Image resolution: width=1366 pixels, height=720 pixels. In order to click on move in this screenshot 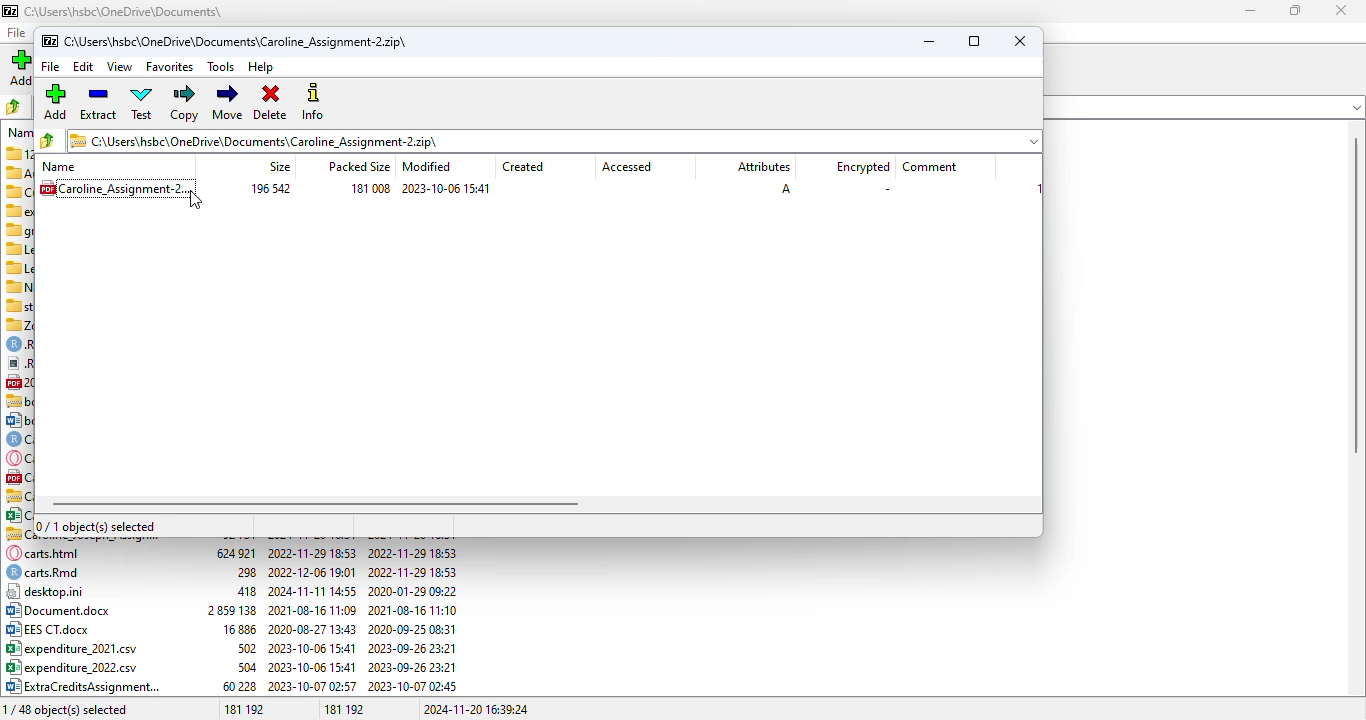, I will do `click(227, 103)`.